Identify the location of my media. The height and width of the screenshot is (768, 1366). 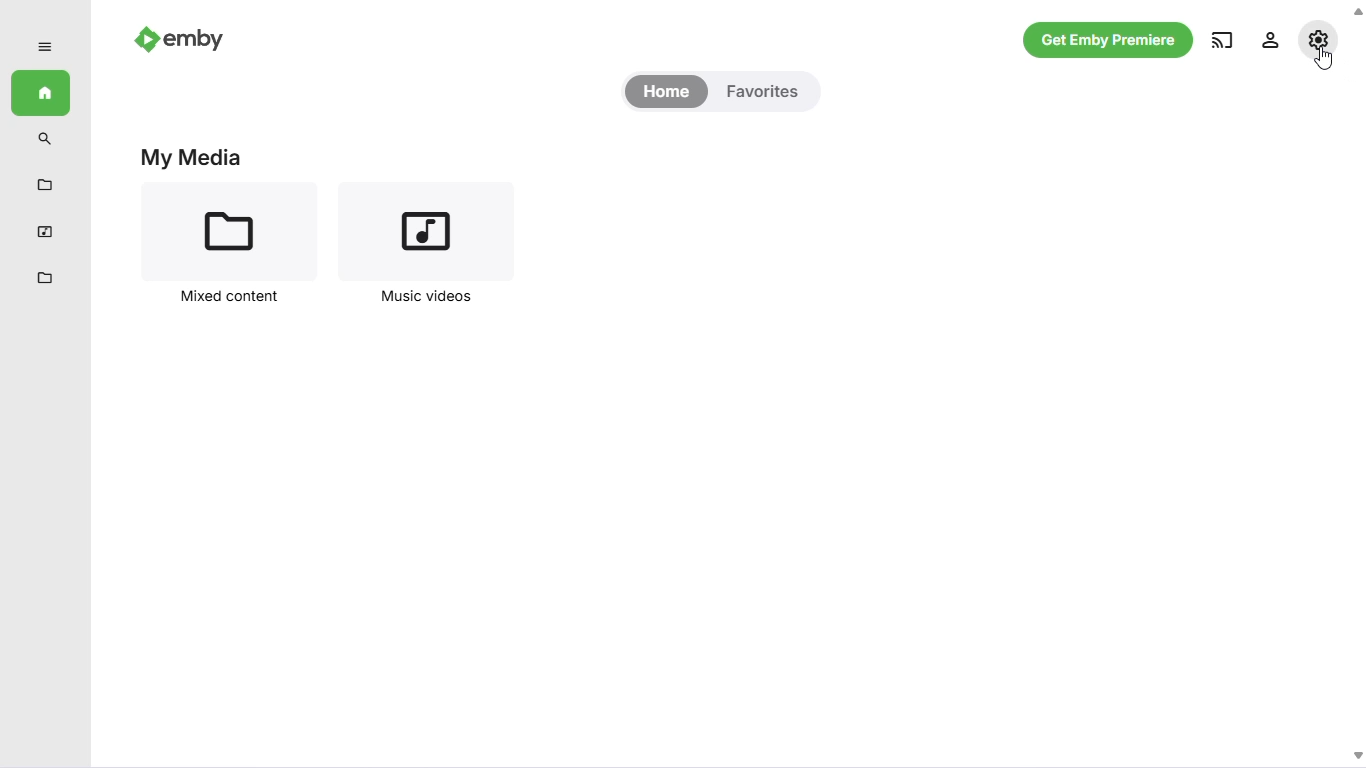
(191, 157).